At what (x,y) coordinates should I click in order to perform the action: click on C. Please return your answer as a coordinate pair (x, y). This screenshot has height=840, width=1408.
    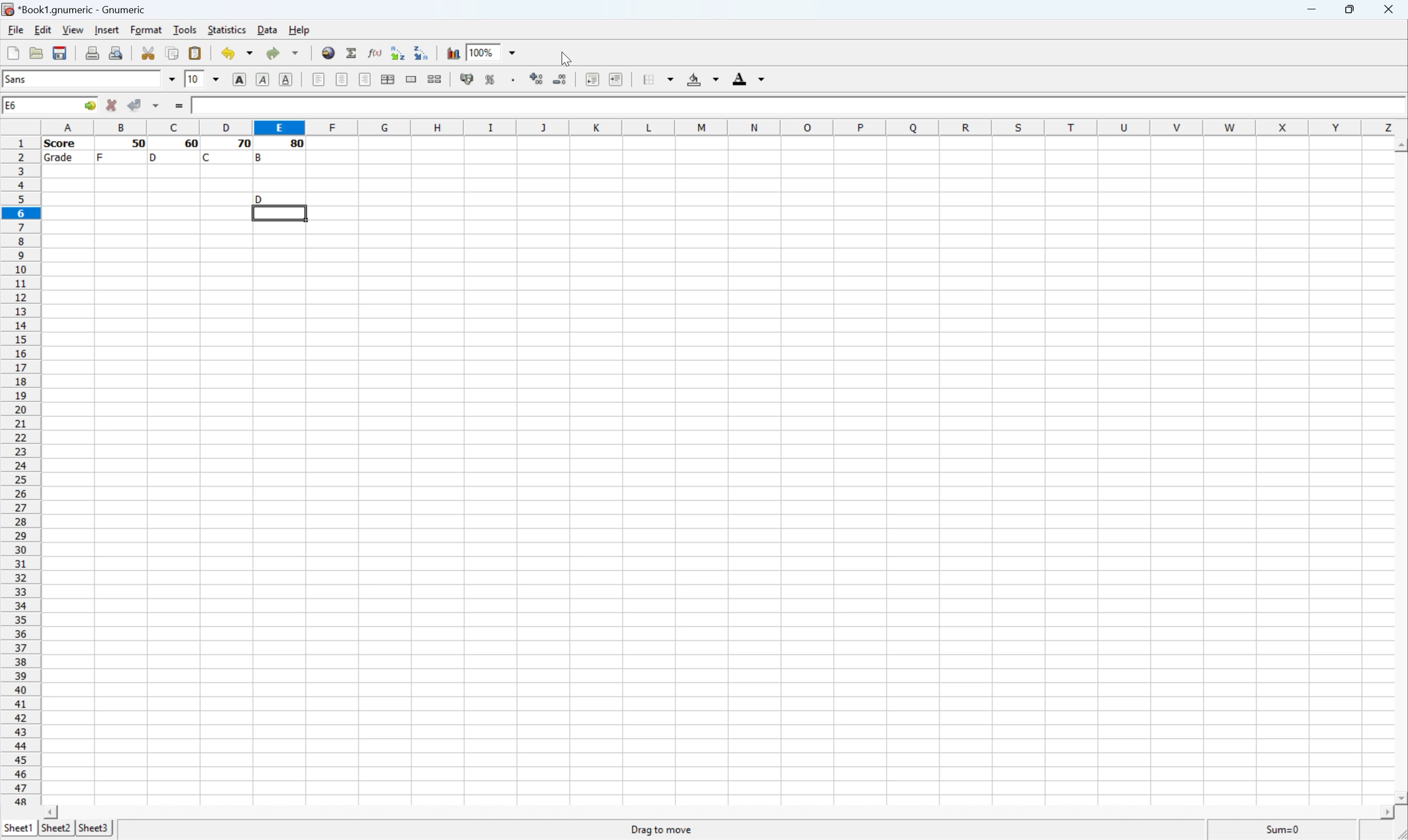
    Looking at the image, I should click on (208, 157).